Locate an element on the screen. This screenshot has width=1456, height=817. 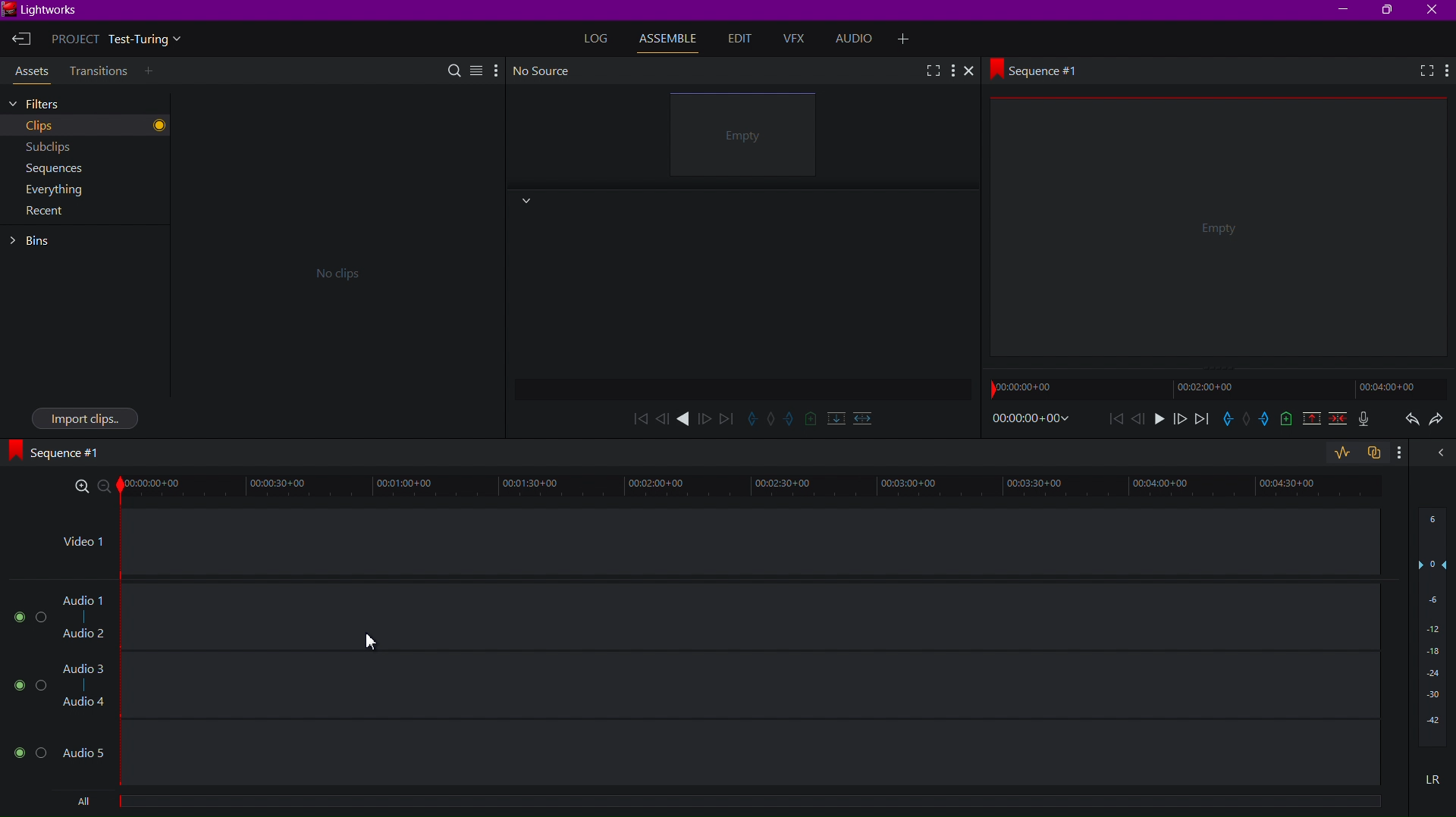
Source View is located at coordinates (747, 137).